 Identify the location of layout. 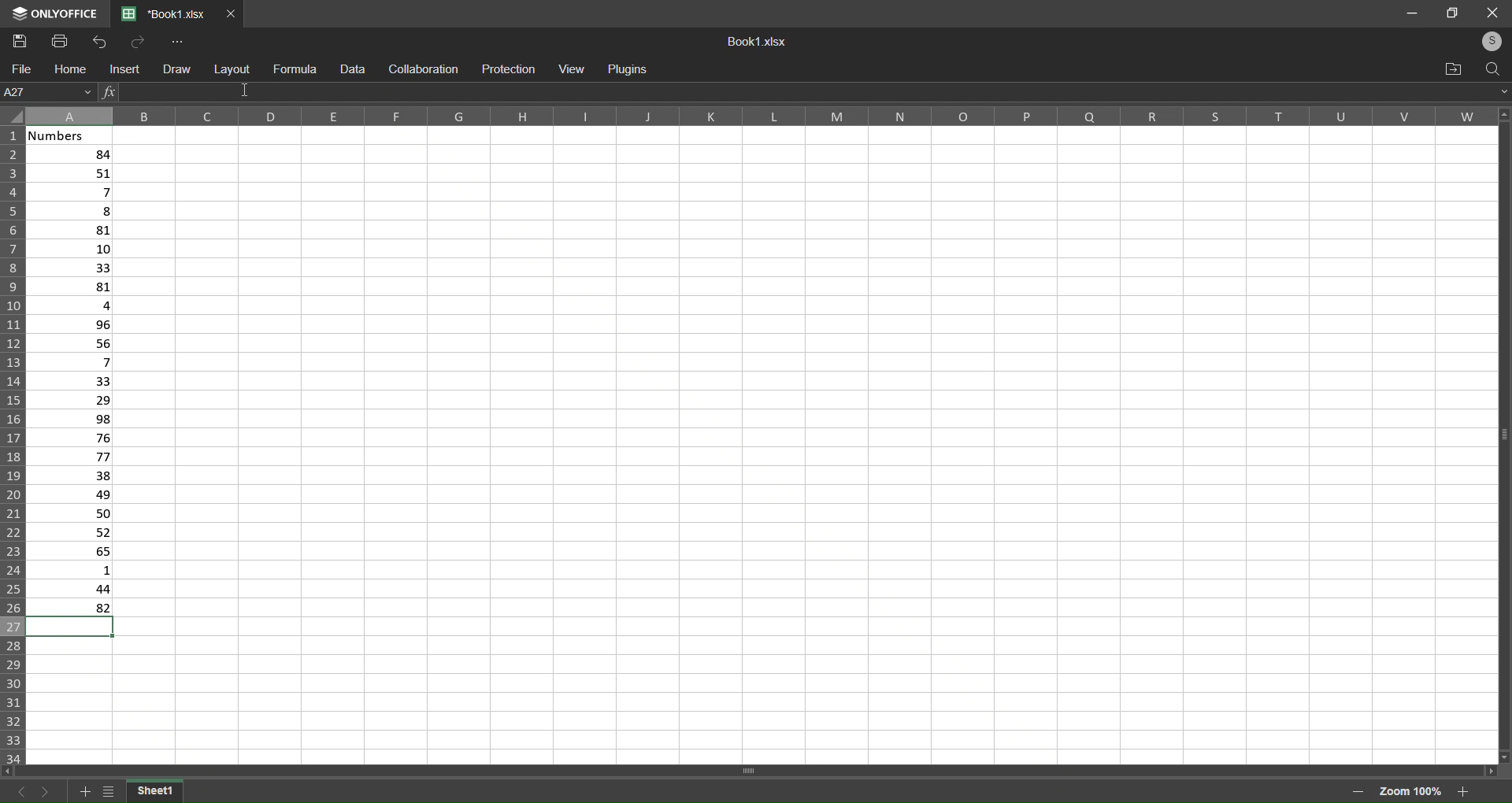
(232, 69).